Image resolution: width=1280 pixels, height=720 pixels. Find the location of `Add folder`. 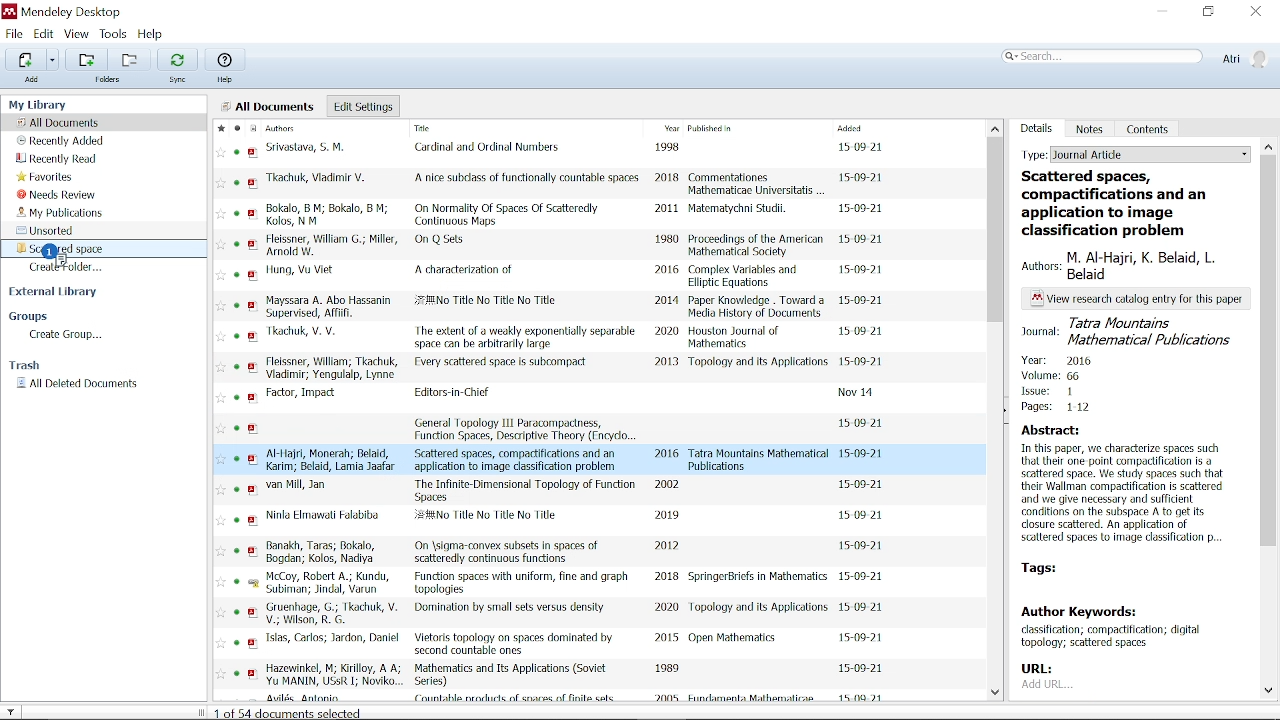

Add folder is located at coordinates (86, 59).